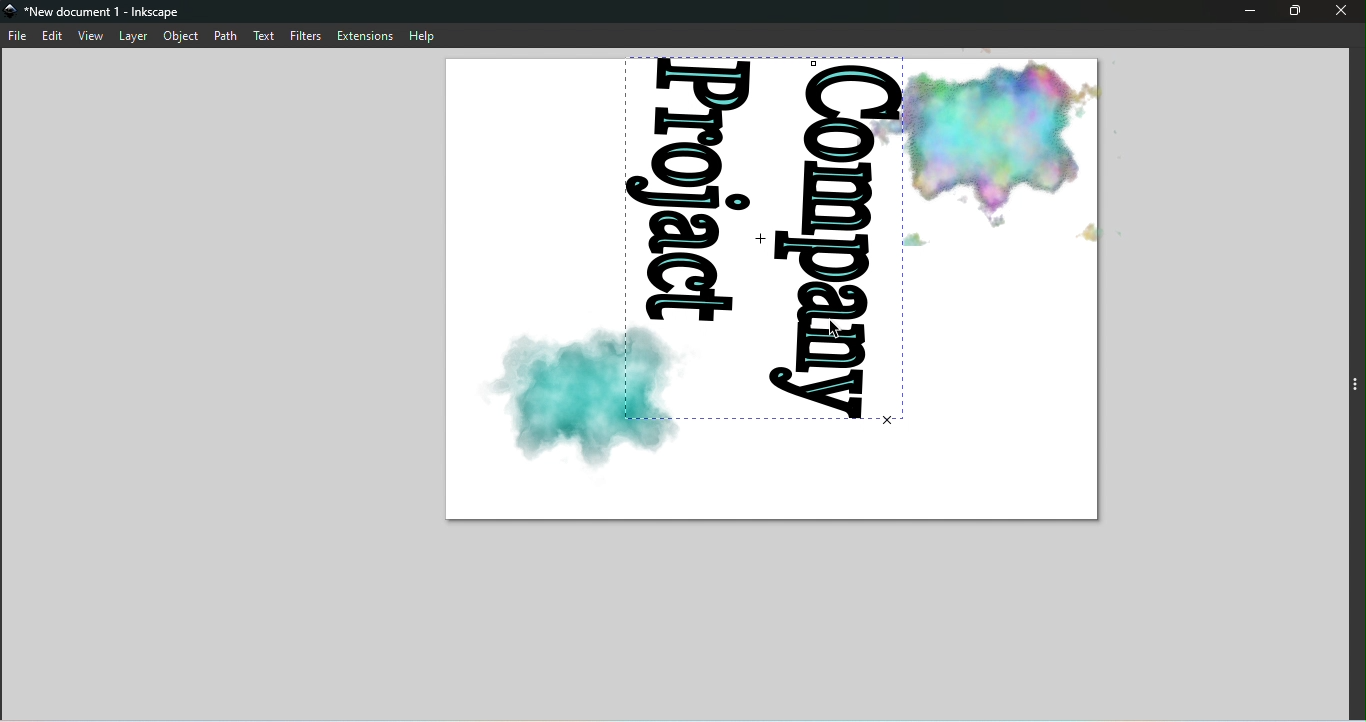 This screenshot has height=722, width=1366. What do you see at coordinates (1293, 11) in the screenshot?
I see `Maximize` at bounding box center [1293, 11].